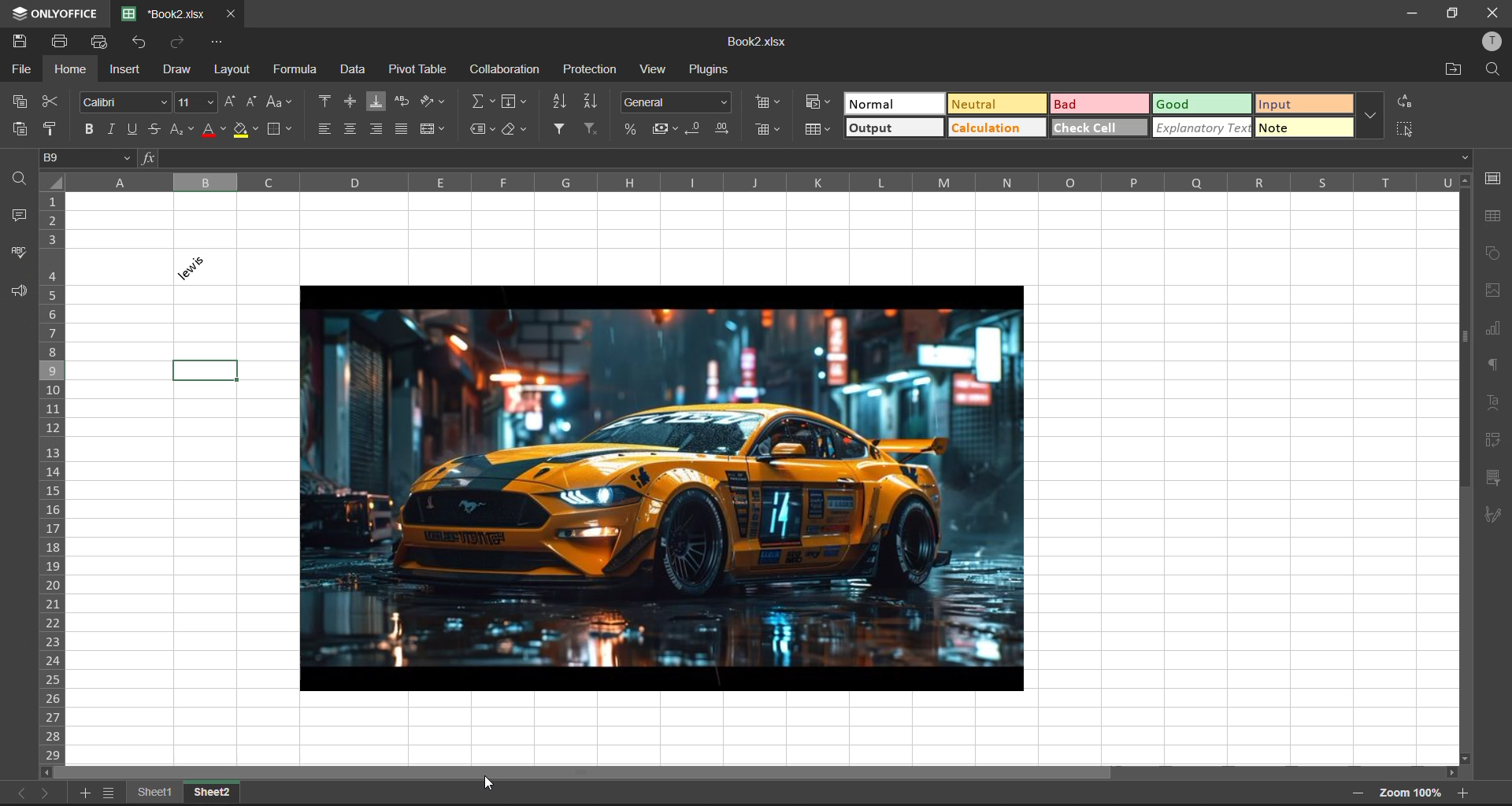  Describe the element at coordinates (24, 40) in the screenshot. I see `save` at that location.